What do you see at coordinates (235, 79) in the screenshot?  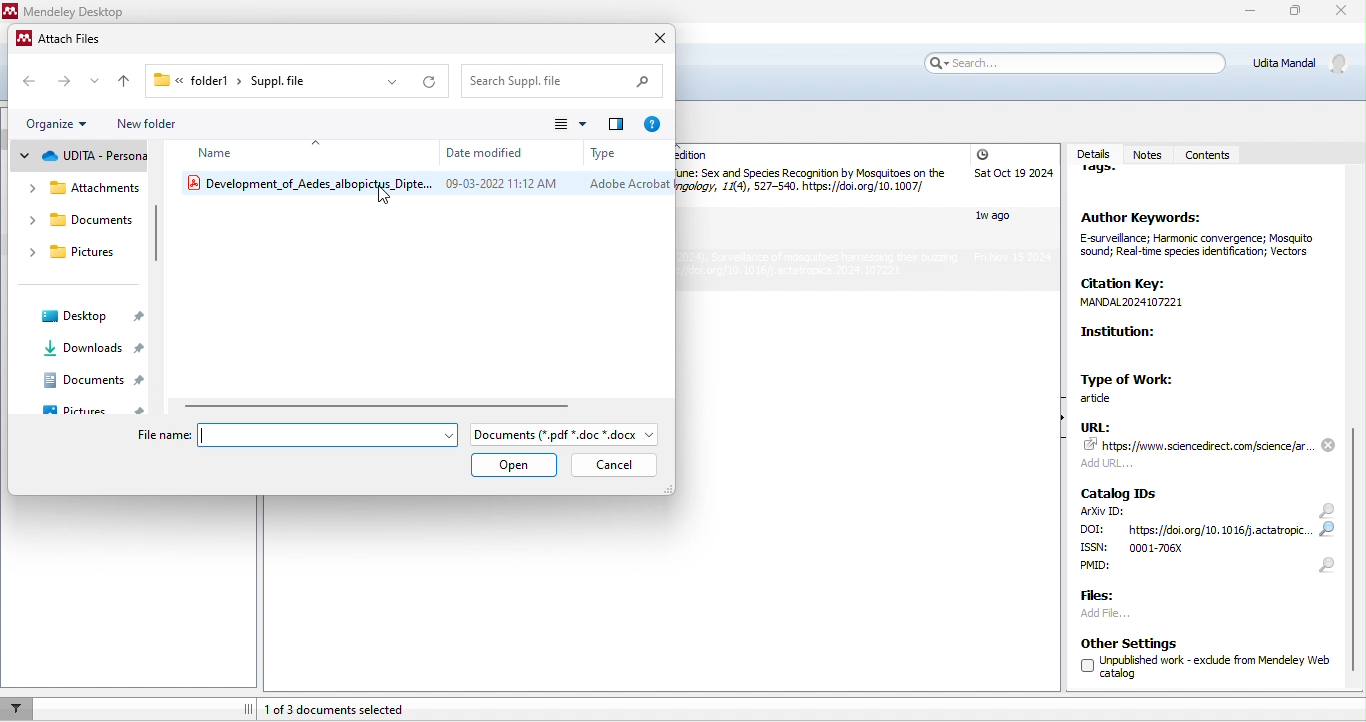 I see `folder1> Suppl.file` at bounding box center [235, 79].